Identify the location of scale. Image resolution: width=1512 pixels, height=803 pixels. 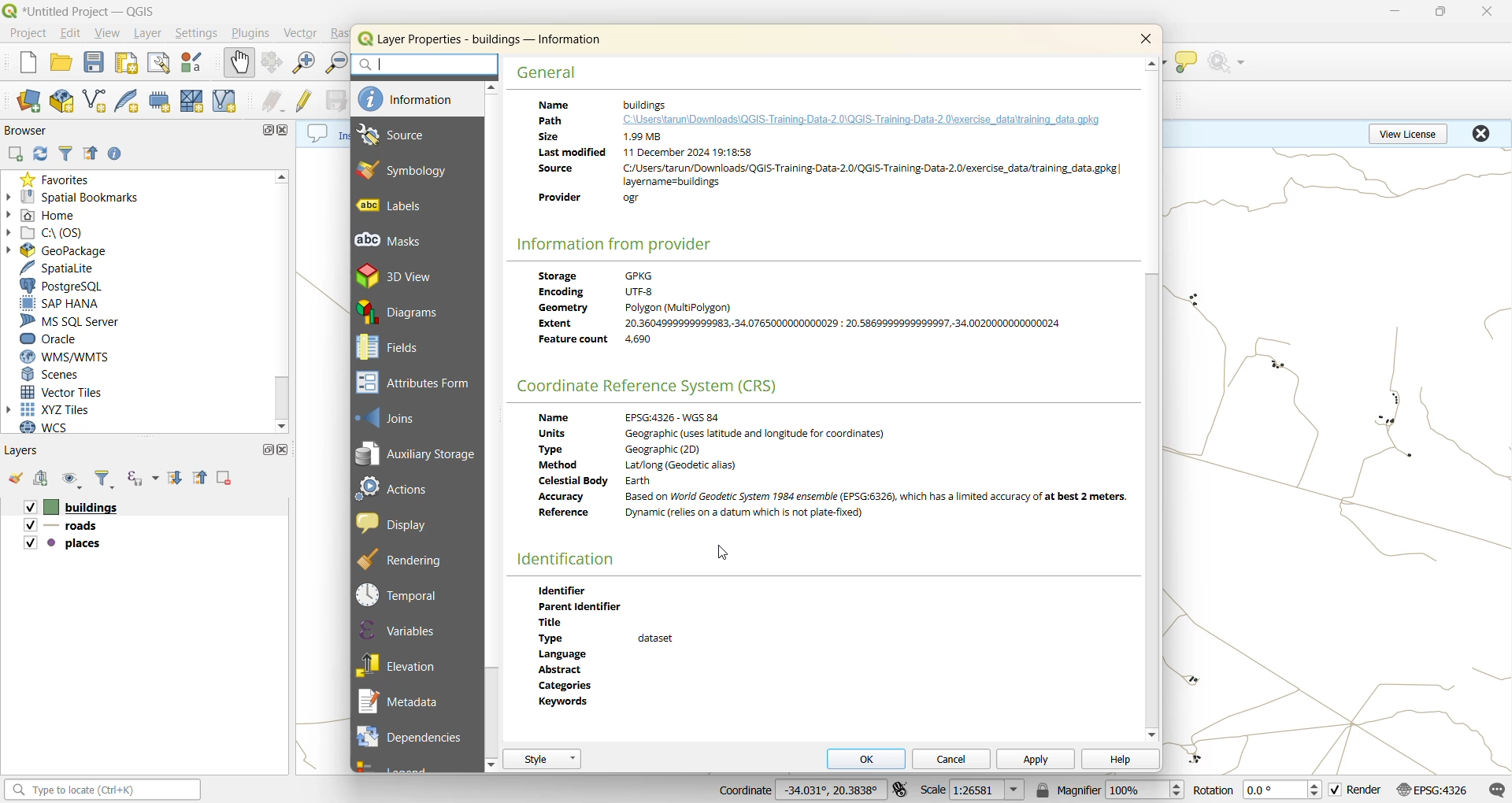
(974, 790).